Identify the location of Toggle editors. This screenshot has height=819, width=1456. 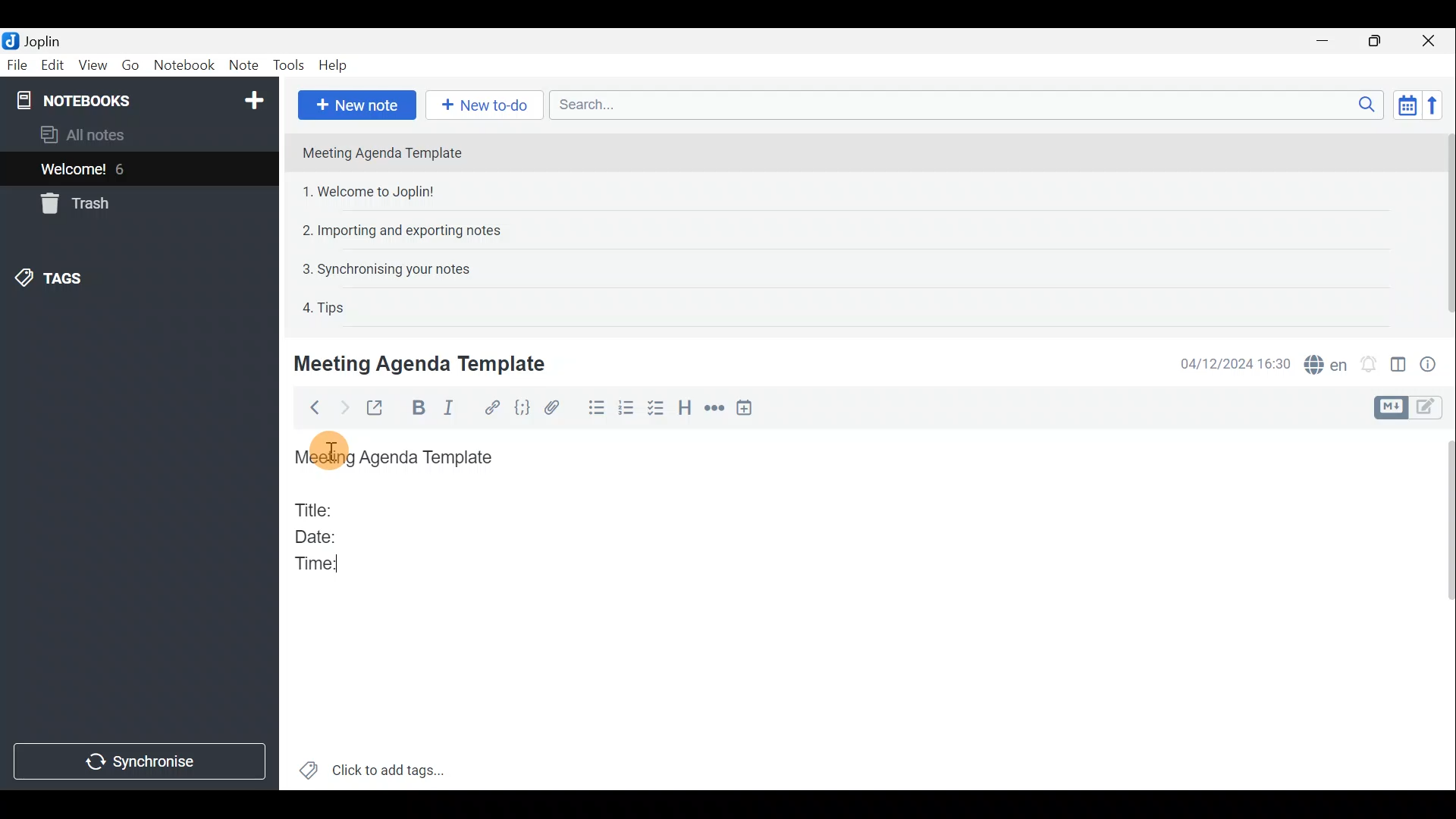
(1429, 409).